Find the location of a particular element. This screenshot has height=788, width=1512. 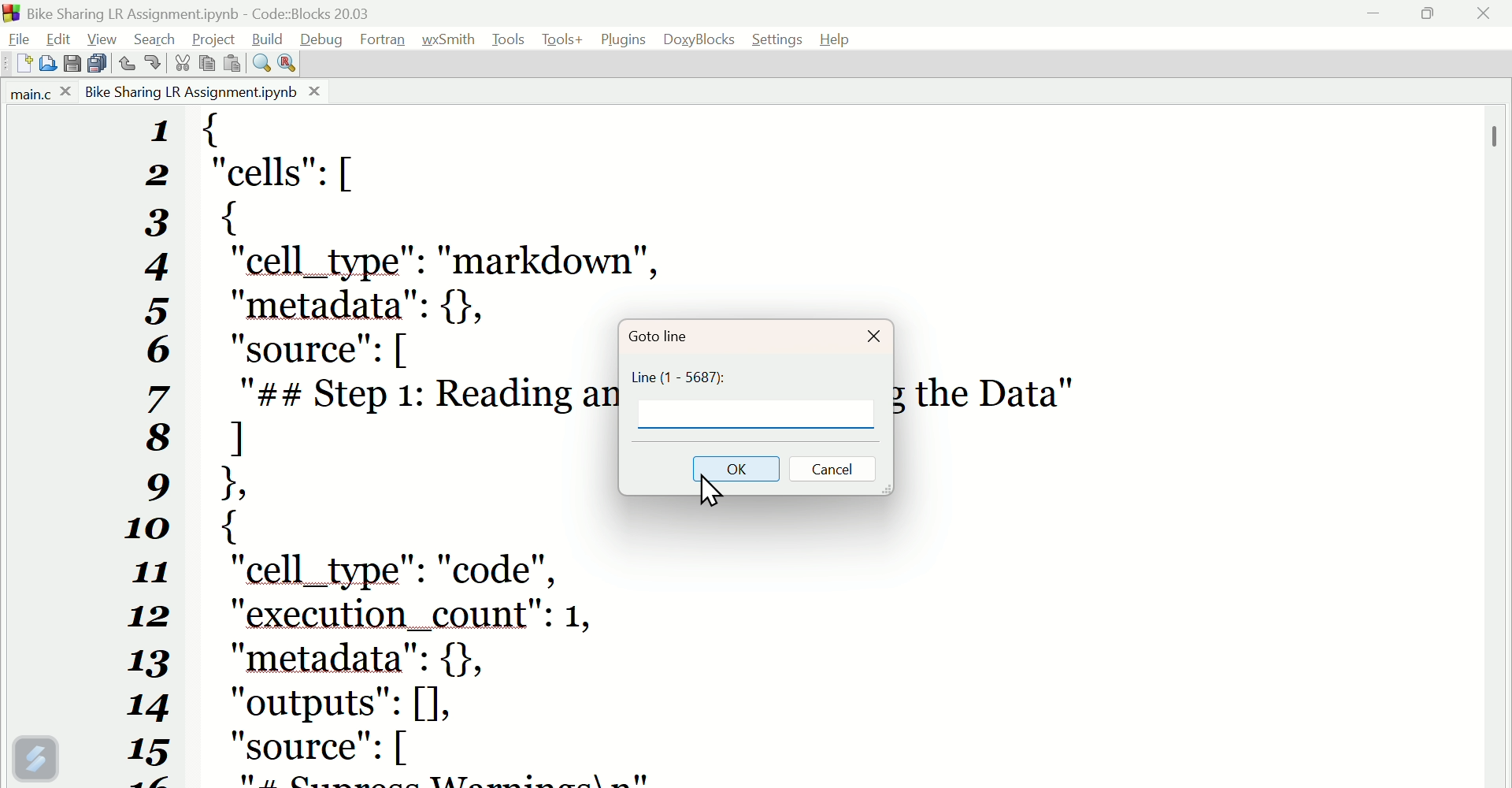

Main.C is located at coordinates (37, 94).